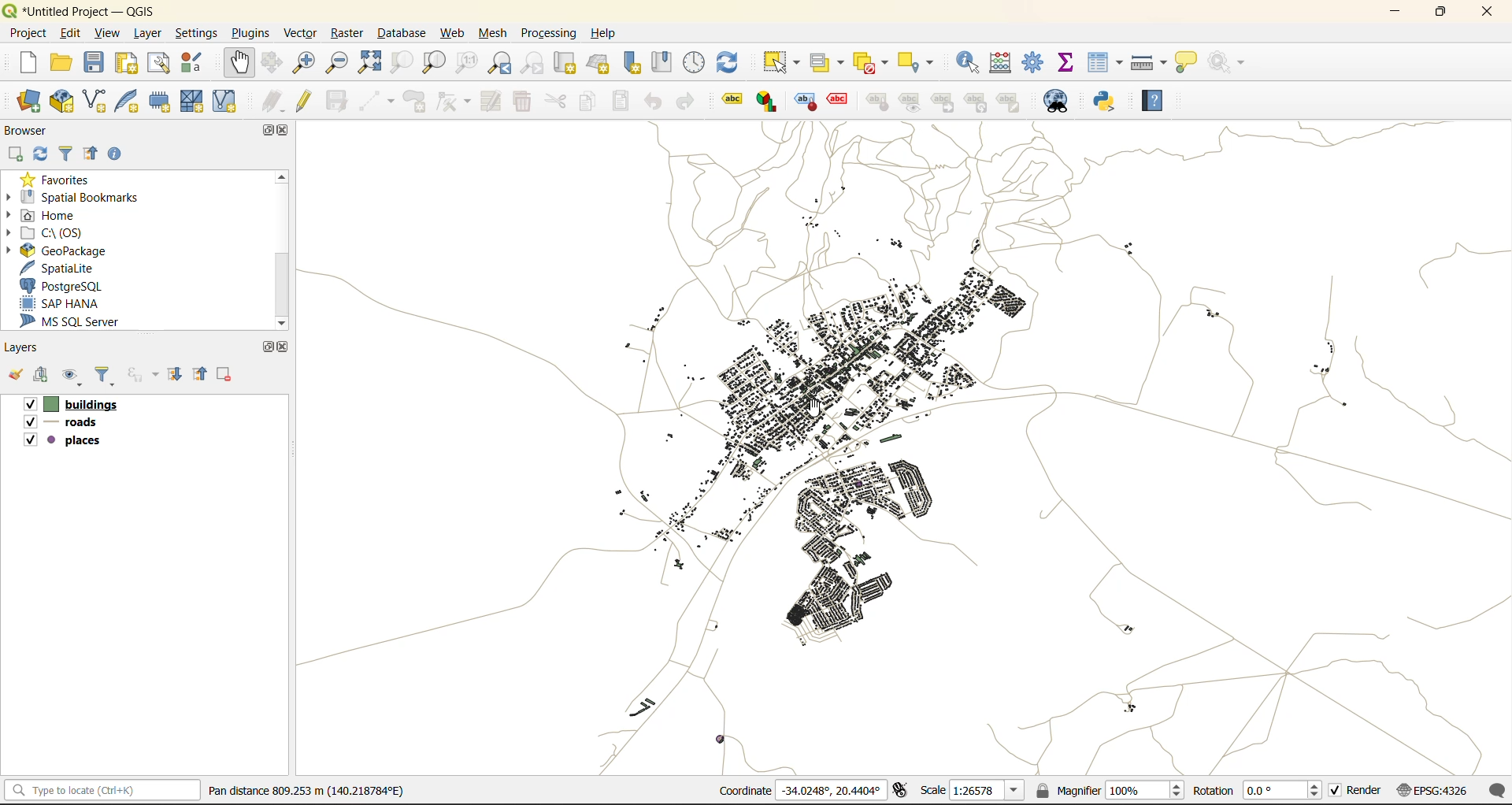 This screenshot has width=1512, height=805. What do you see at coordinates (147, 35) in the screenshot?
I see `layer` at bounding box center [147, 35].